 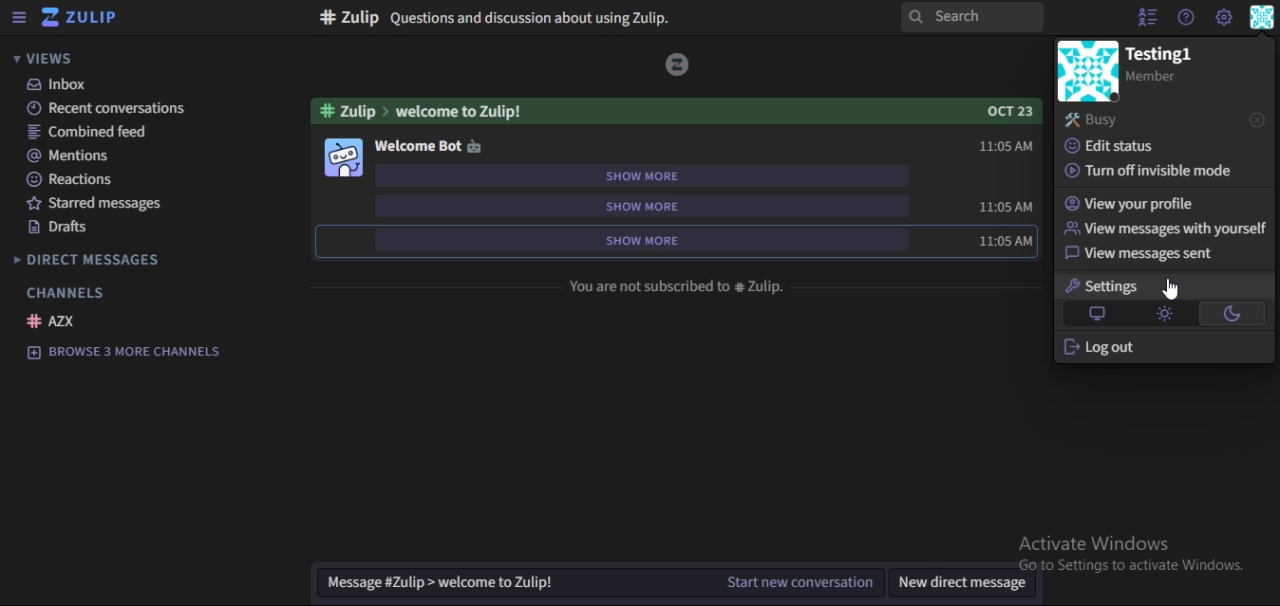 I want to click on view messages with yrself, so click(x=1166, y=228).